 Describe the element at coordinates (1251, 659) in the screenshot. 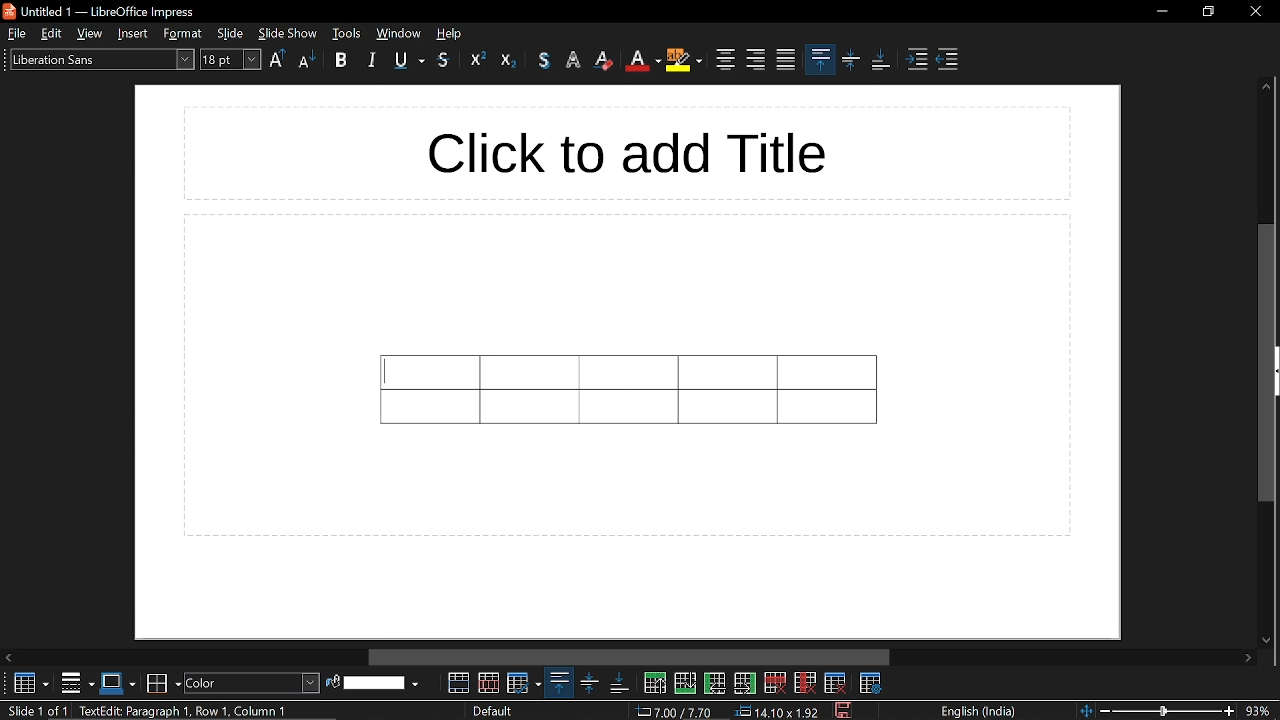

I see `horizontal scrollbar` at that location.